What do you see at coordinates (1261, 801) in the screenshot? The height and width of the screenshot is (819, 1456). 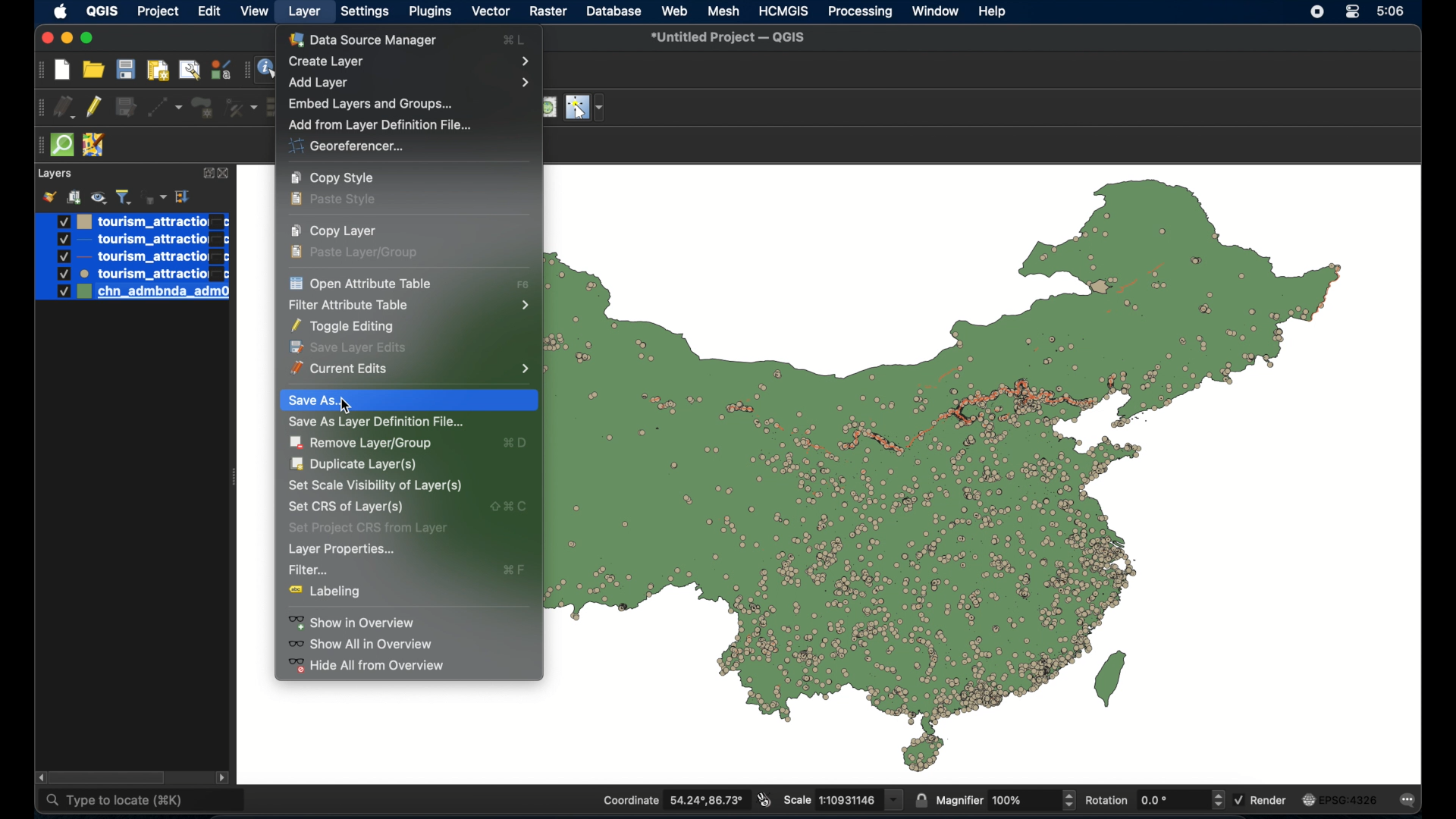 I see `render` at bounding box center [1261, 801].